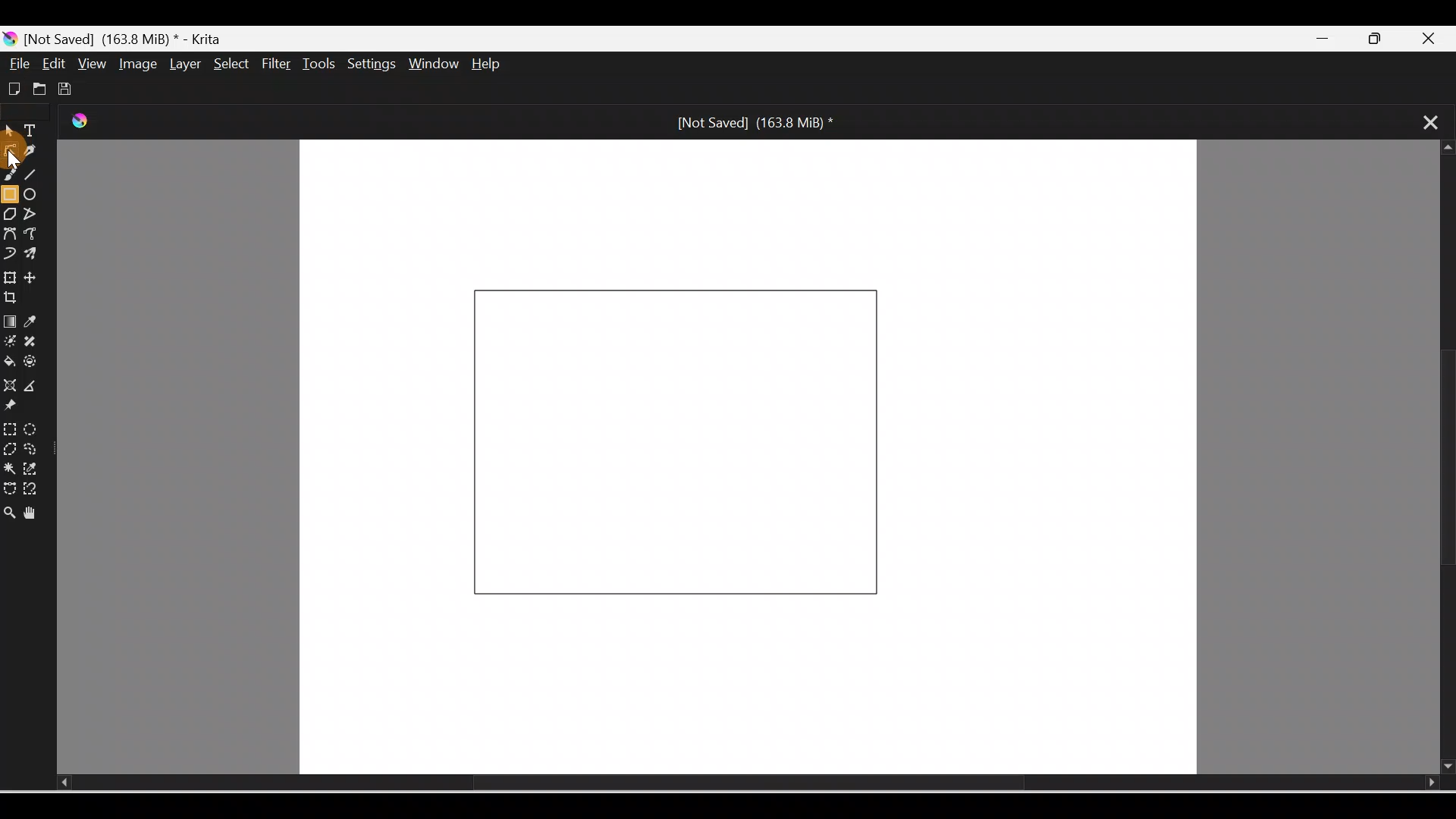 This screenshot has height=819, width=1456. Describe the element at coordinates (33, 256) in the screenshot. I see `Multibrush tool` at that location.